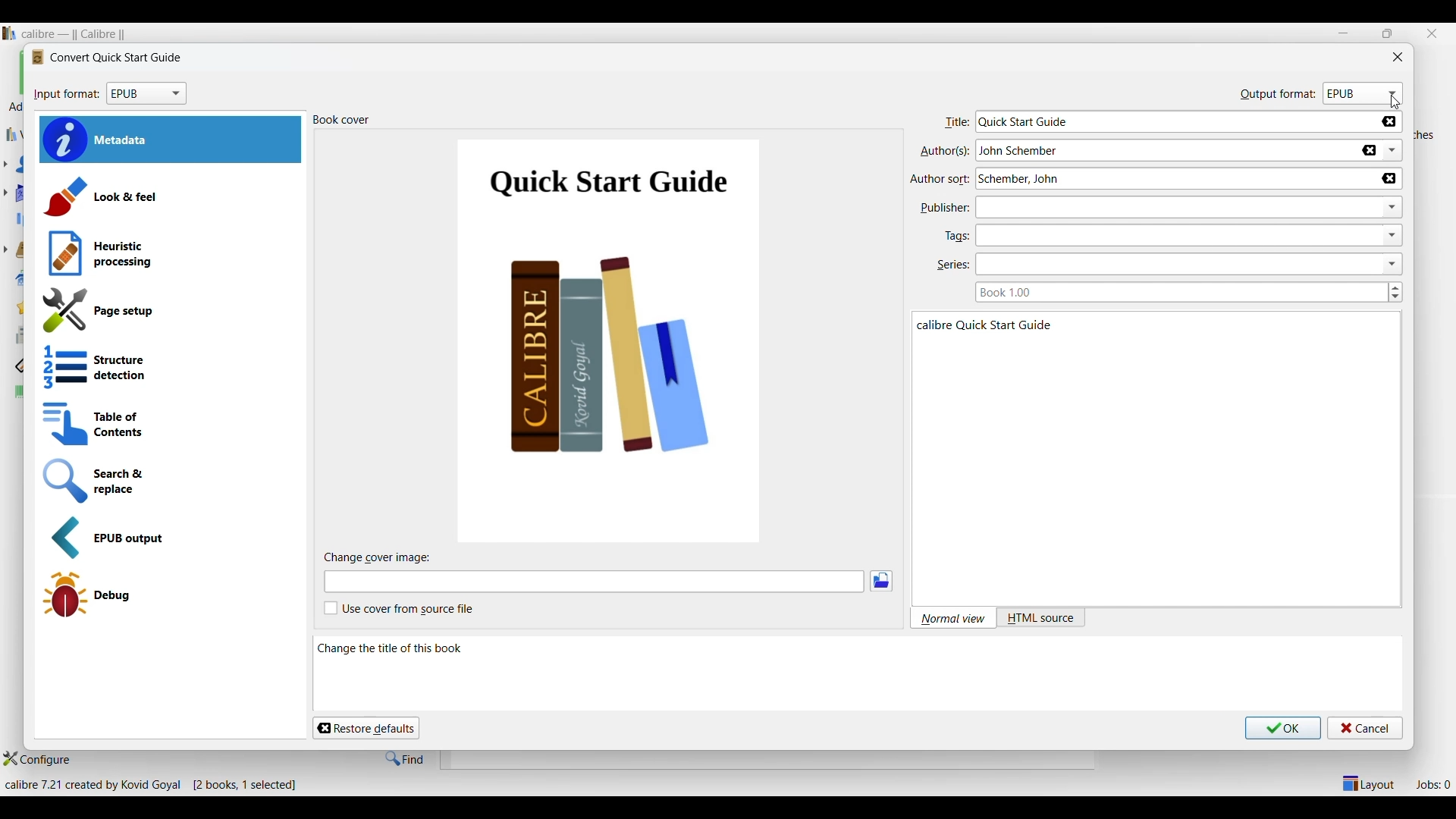  I want to click on Increase/Decrease book series number, so click(1395, 292).